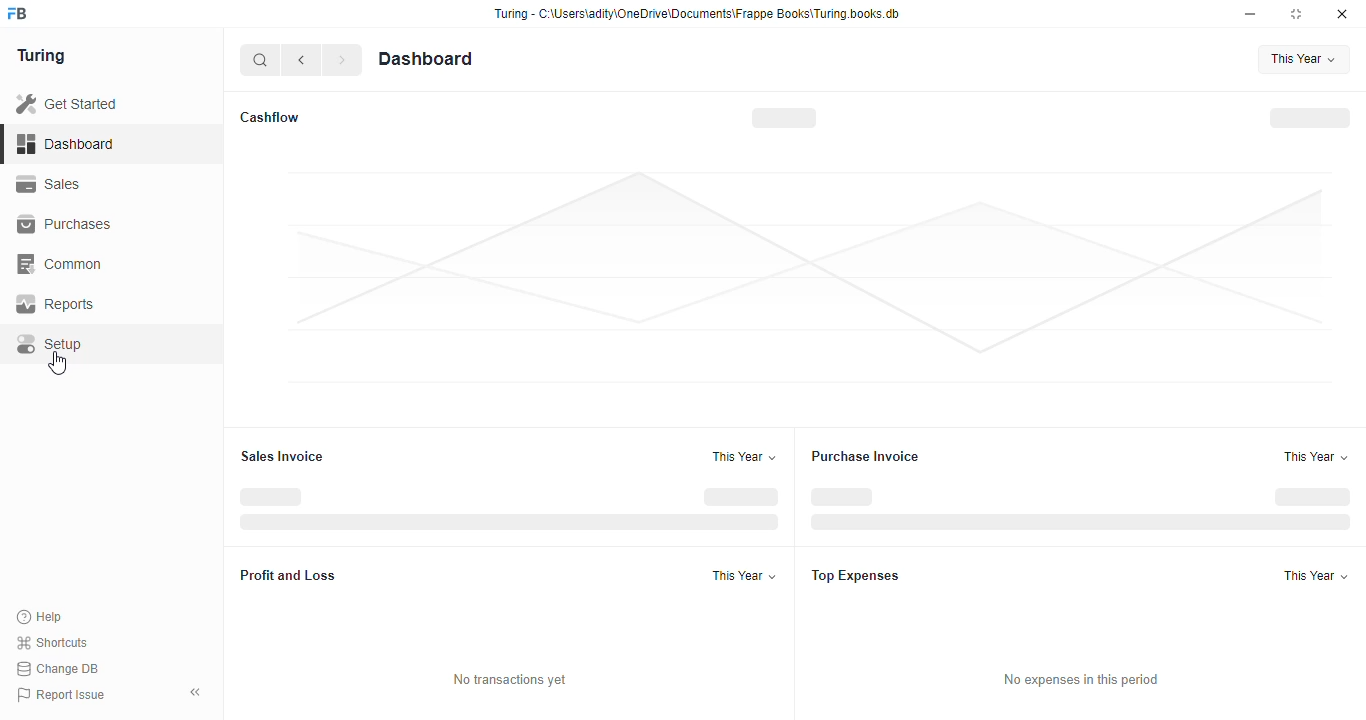 The image size is (1366, 720). I want to click on Shortcuts, so click(57, 642).